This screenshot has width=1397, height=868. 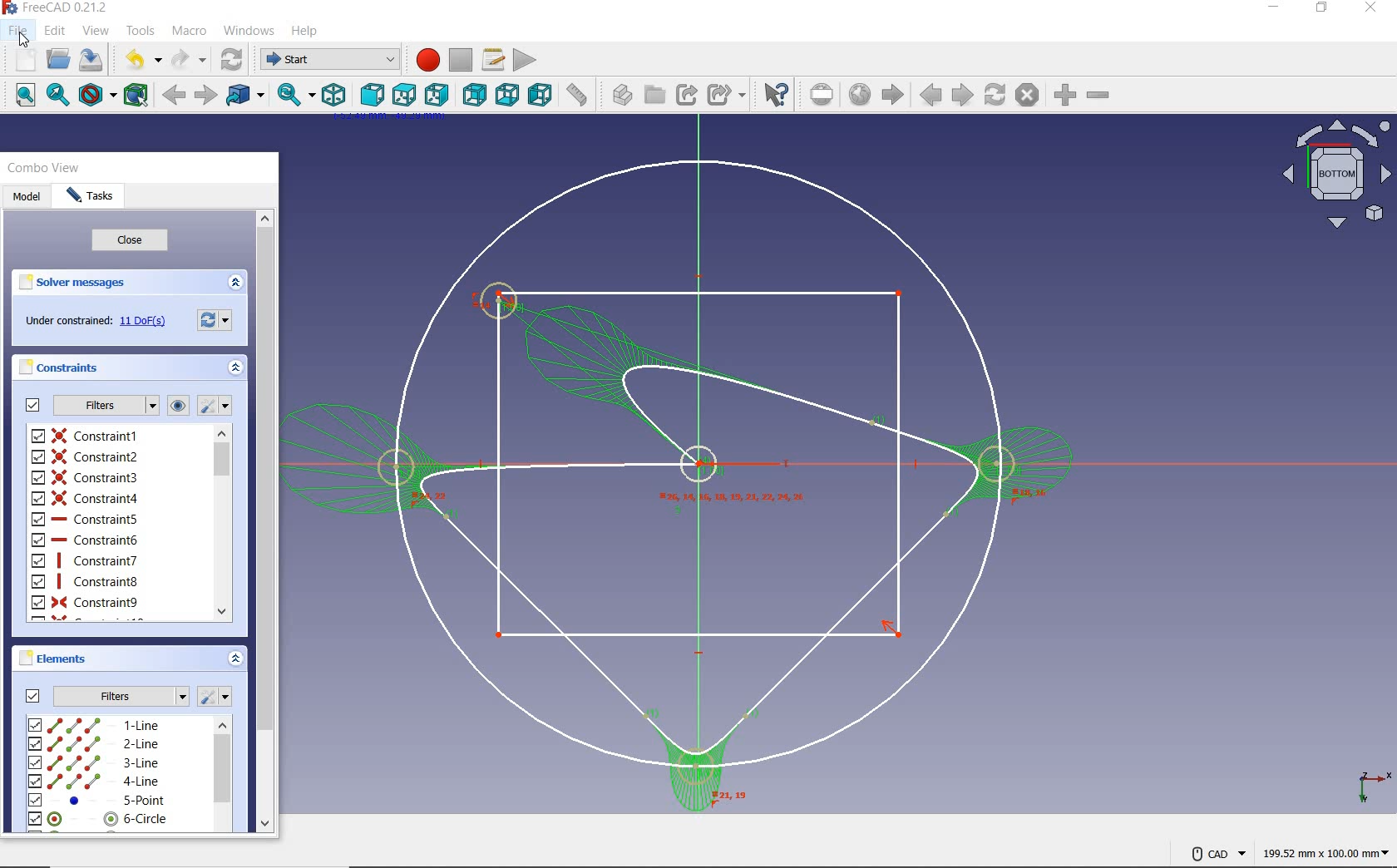 I want to click on execute macro, so click(x=525, y=59).